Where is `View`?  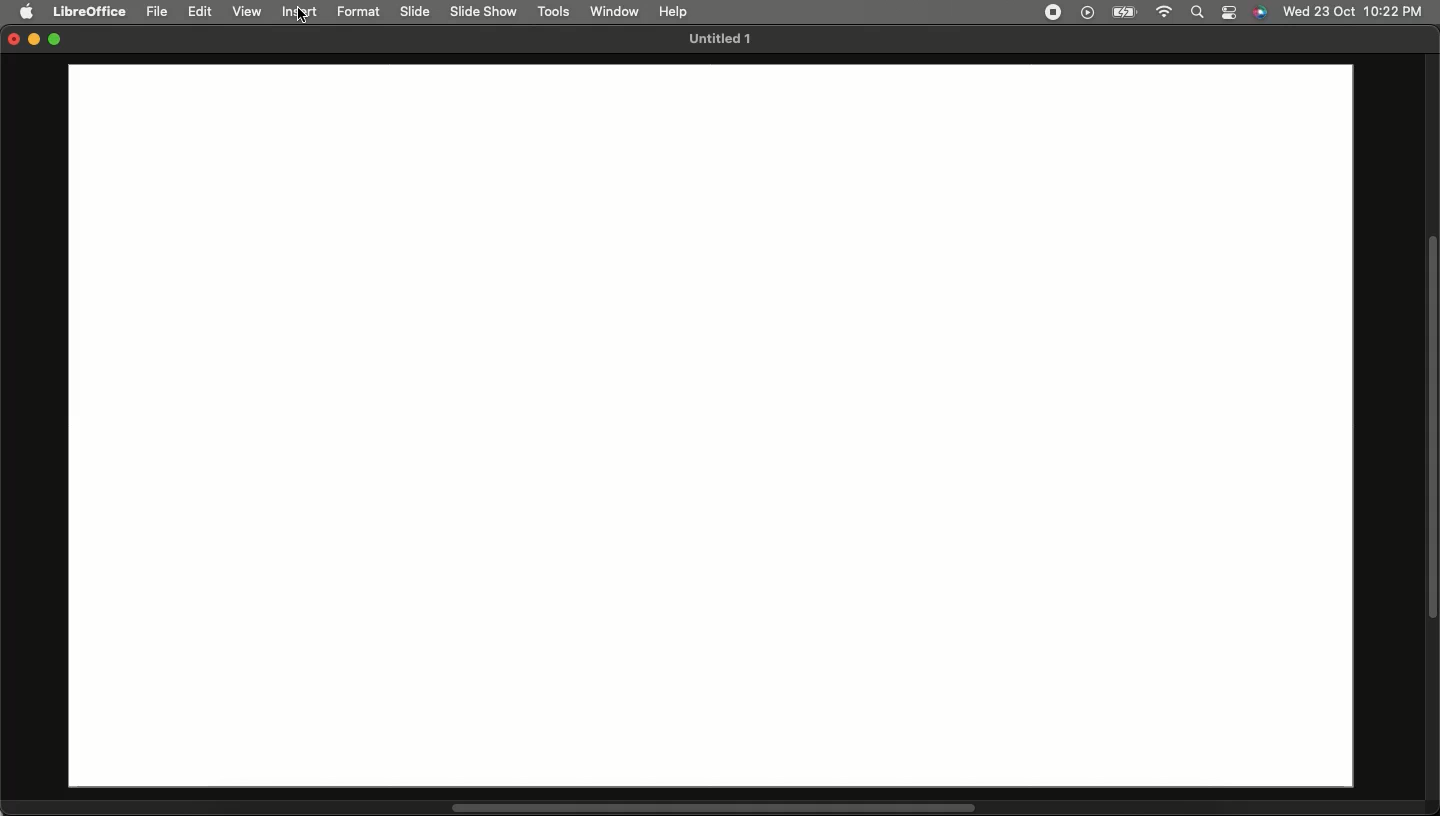 View is located at coordinates (248, 12).